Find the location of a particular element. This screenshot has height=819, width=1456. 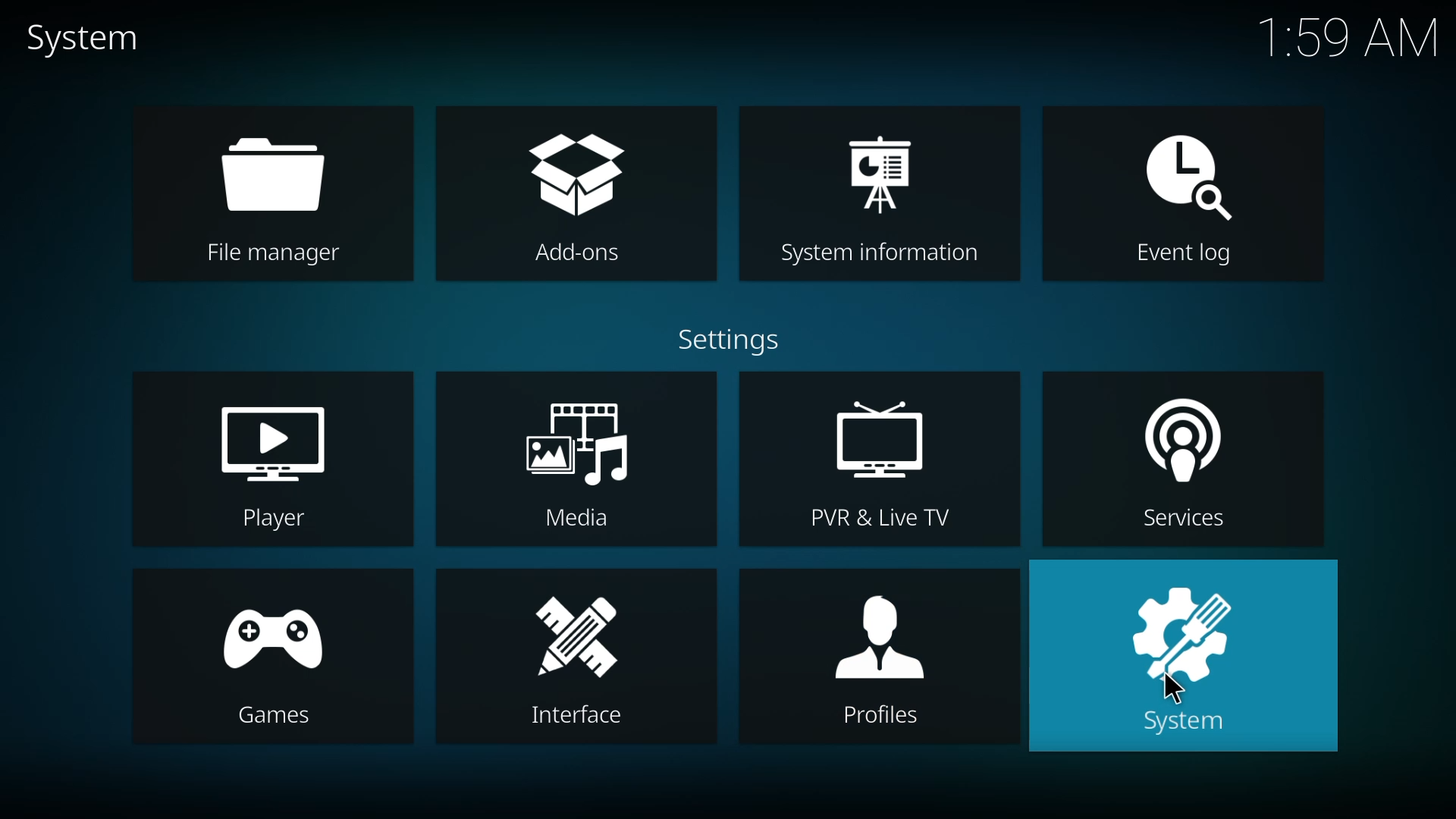

add-ons is located at coordinates (573, 192).